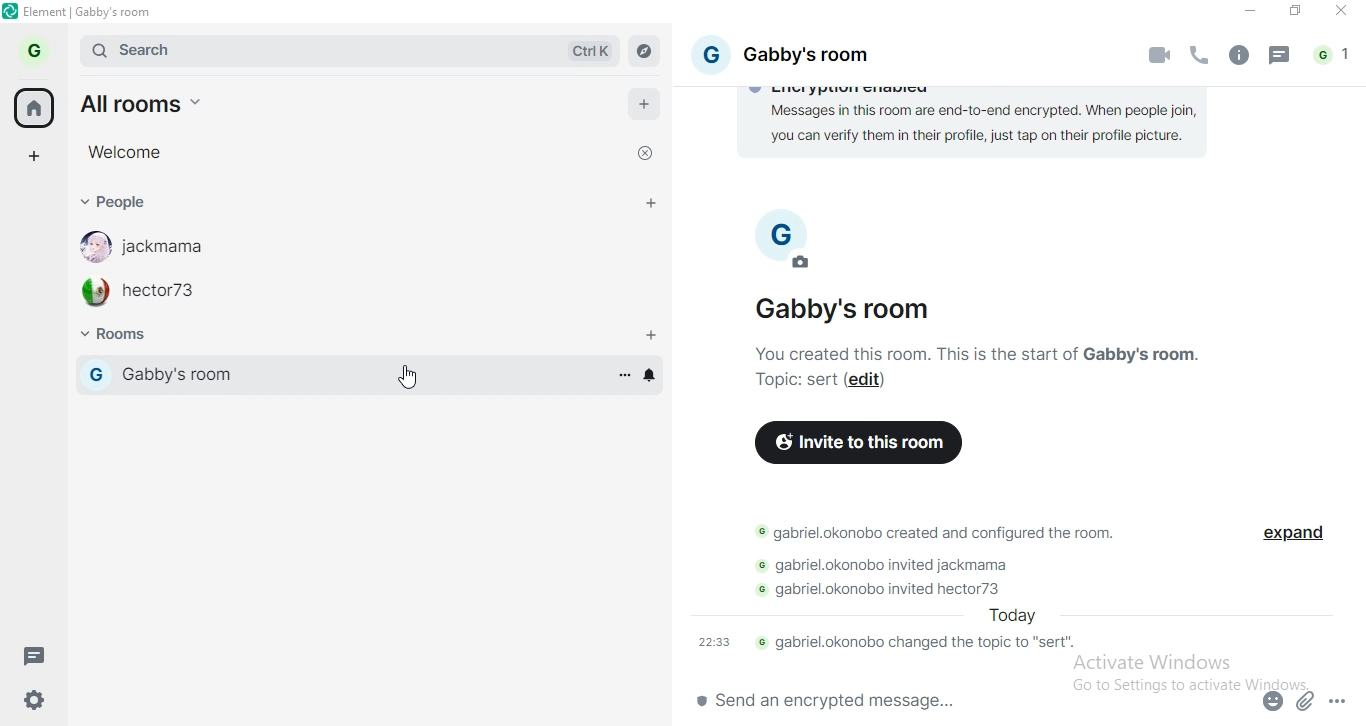  I want to click on jackmama, so click(174, 246).